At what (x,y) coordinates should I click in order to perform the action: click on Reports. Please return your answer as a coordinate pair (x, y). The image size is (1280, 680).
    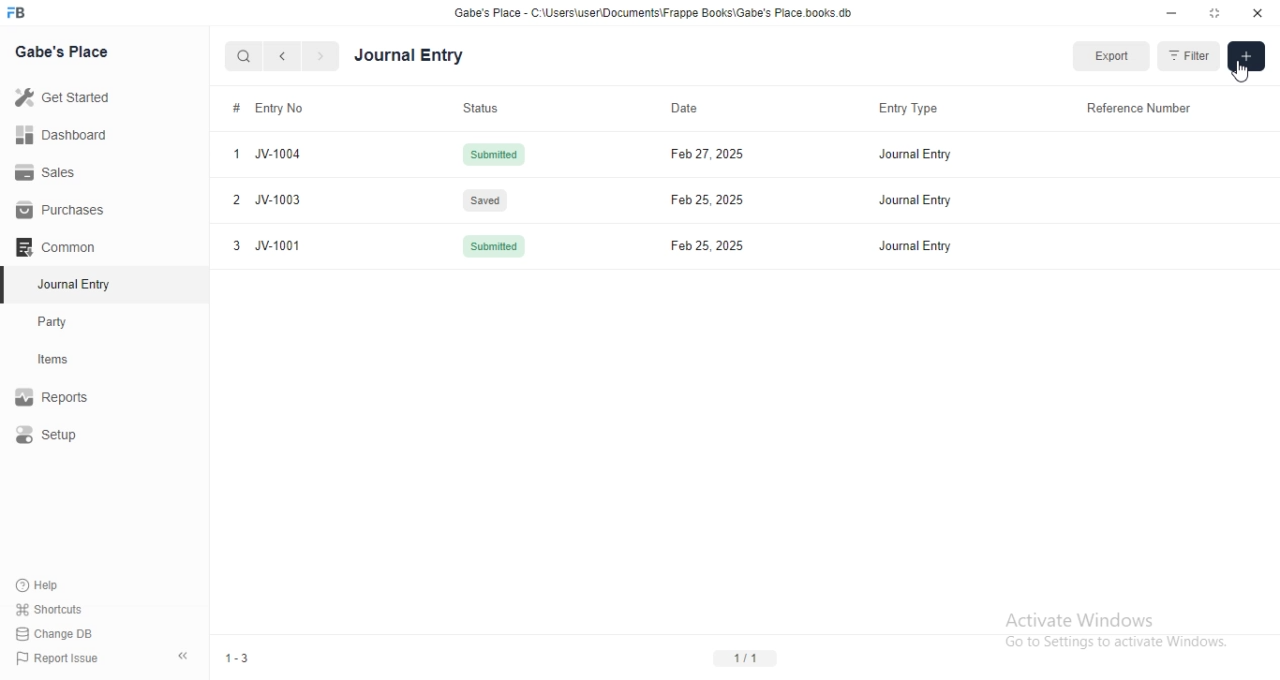
    Looking at the image, I should click on (65, 399).